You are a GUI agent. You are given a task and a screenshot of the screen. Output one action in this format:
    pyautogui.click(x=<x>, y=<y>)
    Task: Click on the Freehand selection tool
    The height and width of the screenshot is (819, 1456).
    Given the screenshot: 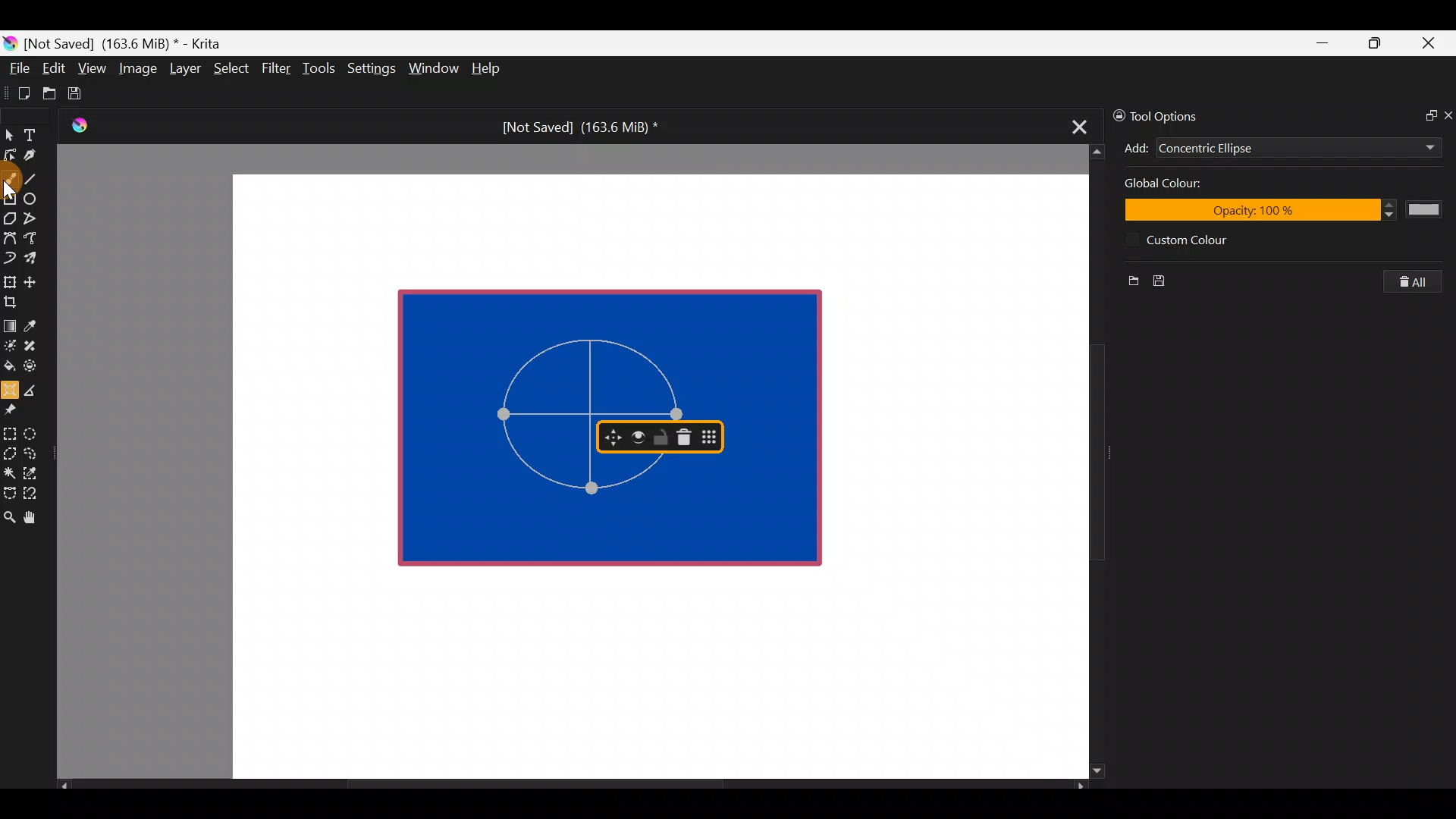 What is the action you would take?
    pyautogui.click(x=33, y=452)
    